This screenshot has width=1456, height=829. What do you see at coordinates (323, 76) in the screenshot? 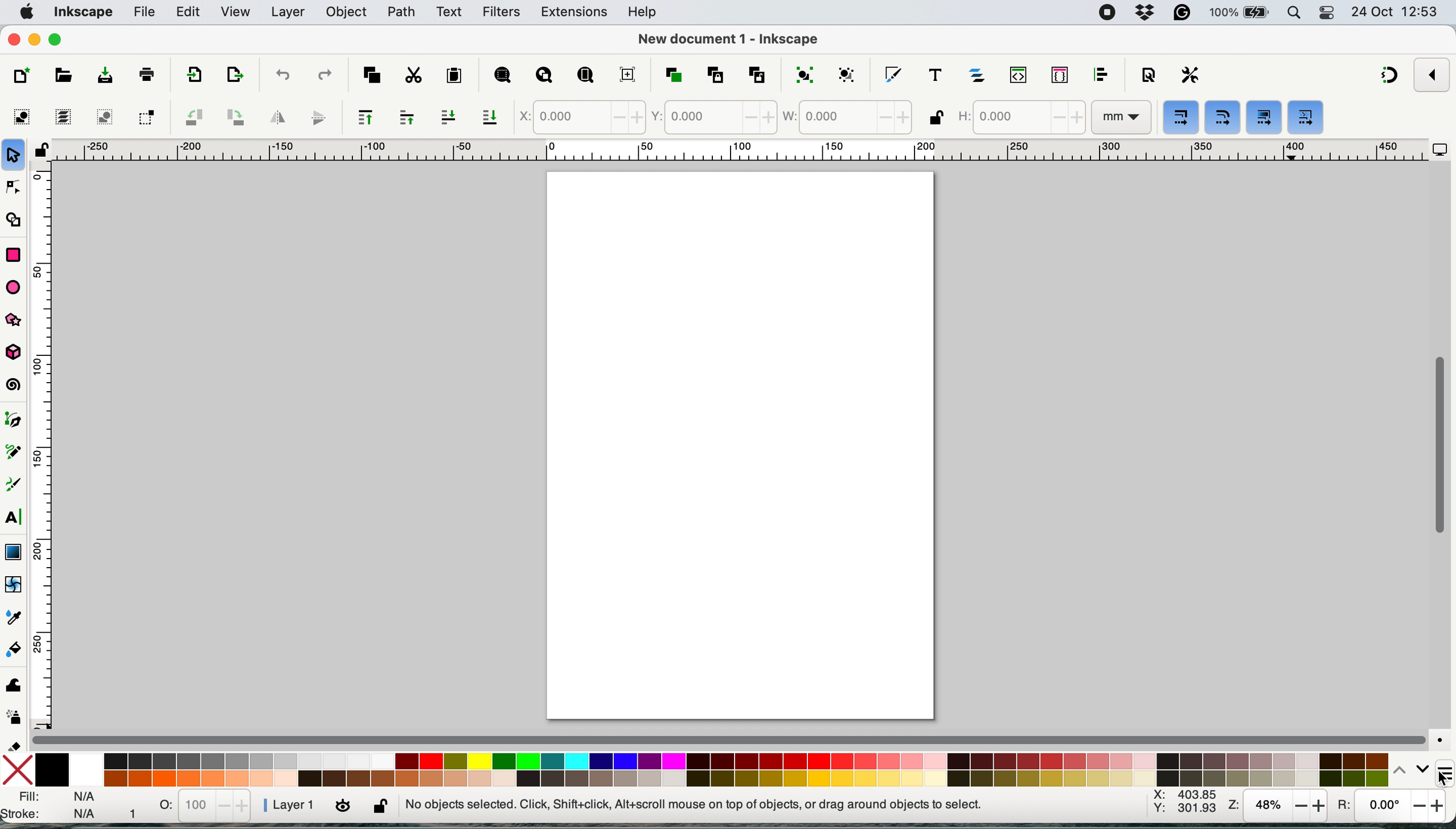
I see `redo` at bounding box center [323, 76].